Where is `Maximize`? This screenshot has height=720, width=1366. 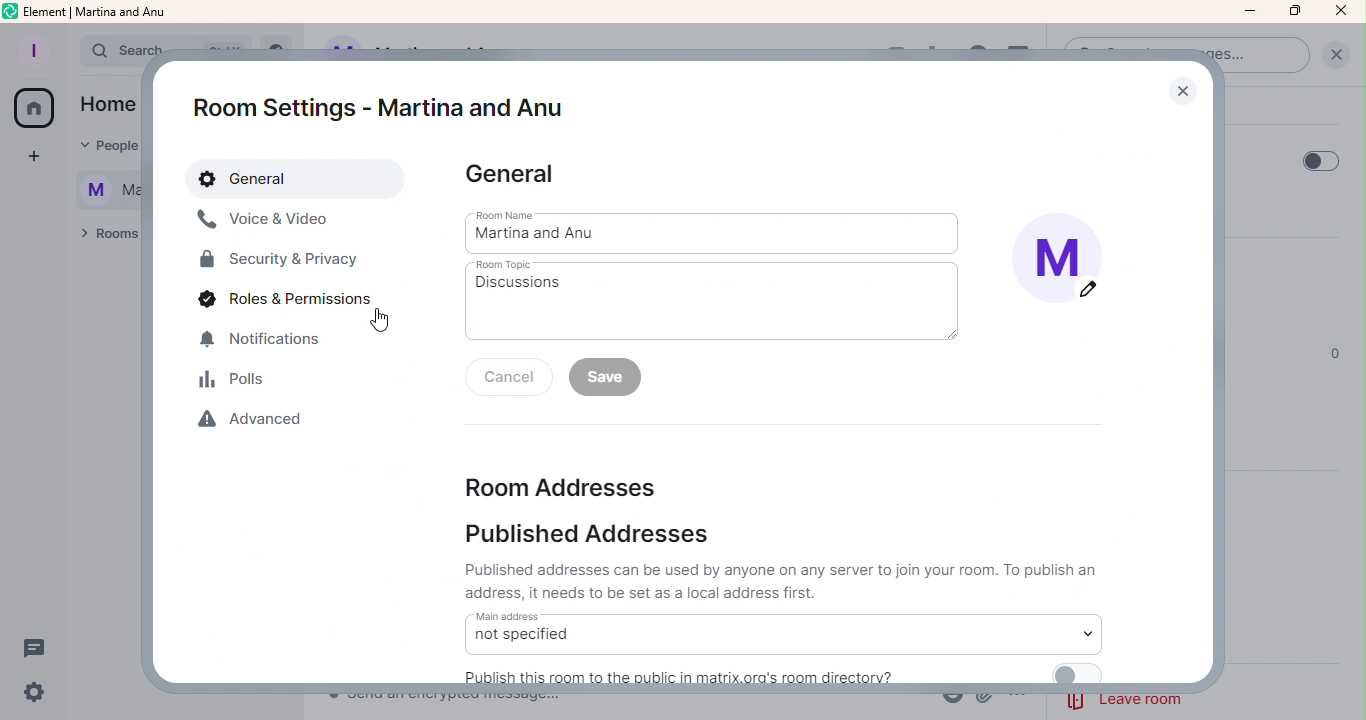
Maximize is located at coordinates (1293, 12).